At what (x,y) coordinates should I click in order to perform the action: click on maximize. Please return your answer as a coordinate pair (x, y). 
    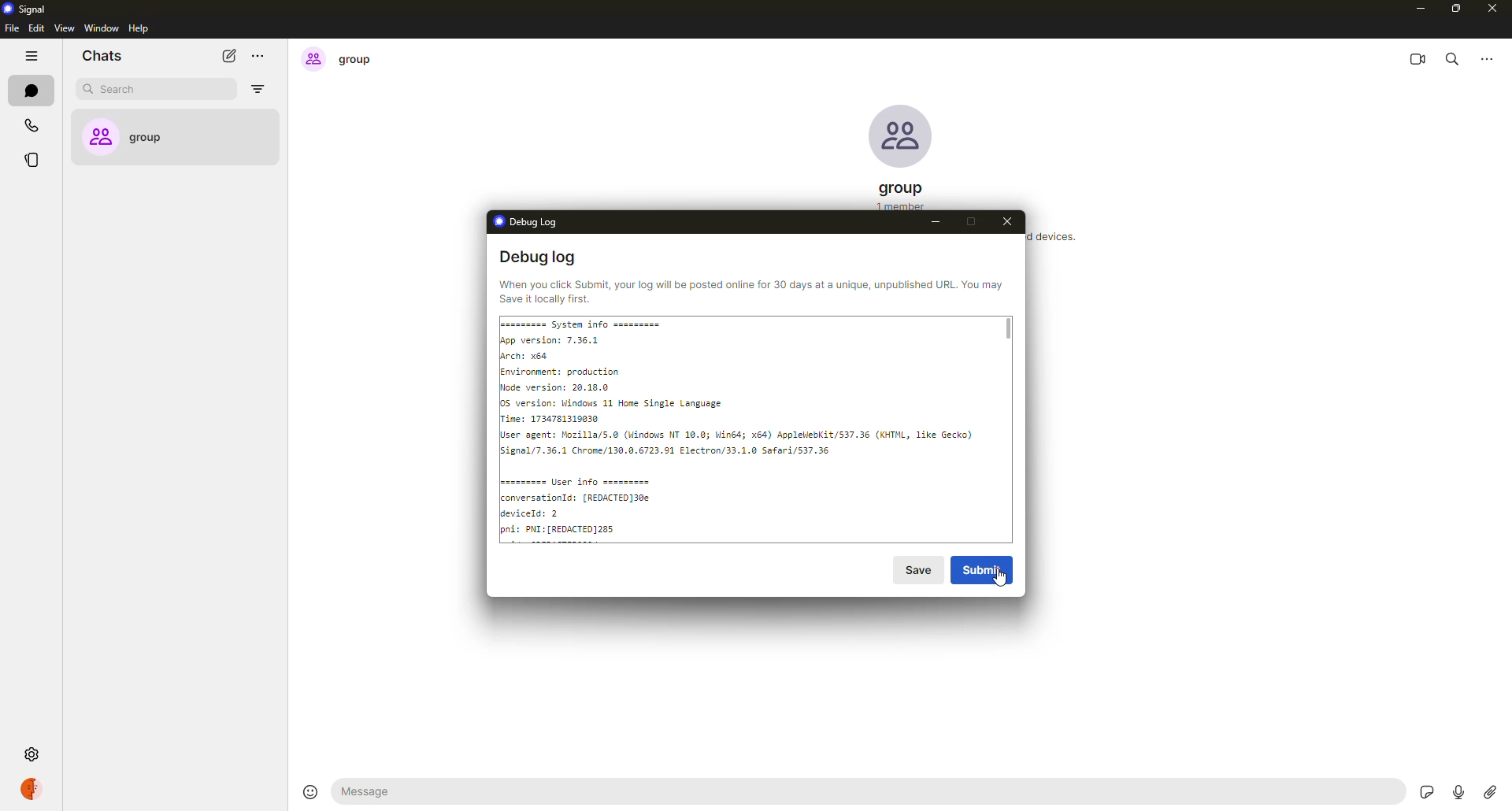
    Looking at the image, I should click on (970, 220).